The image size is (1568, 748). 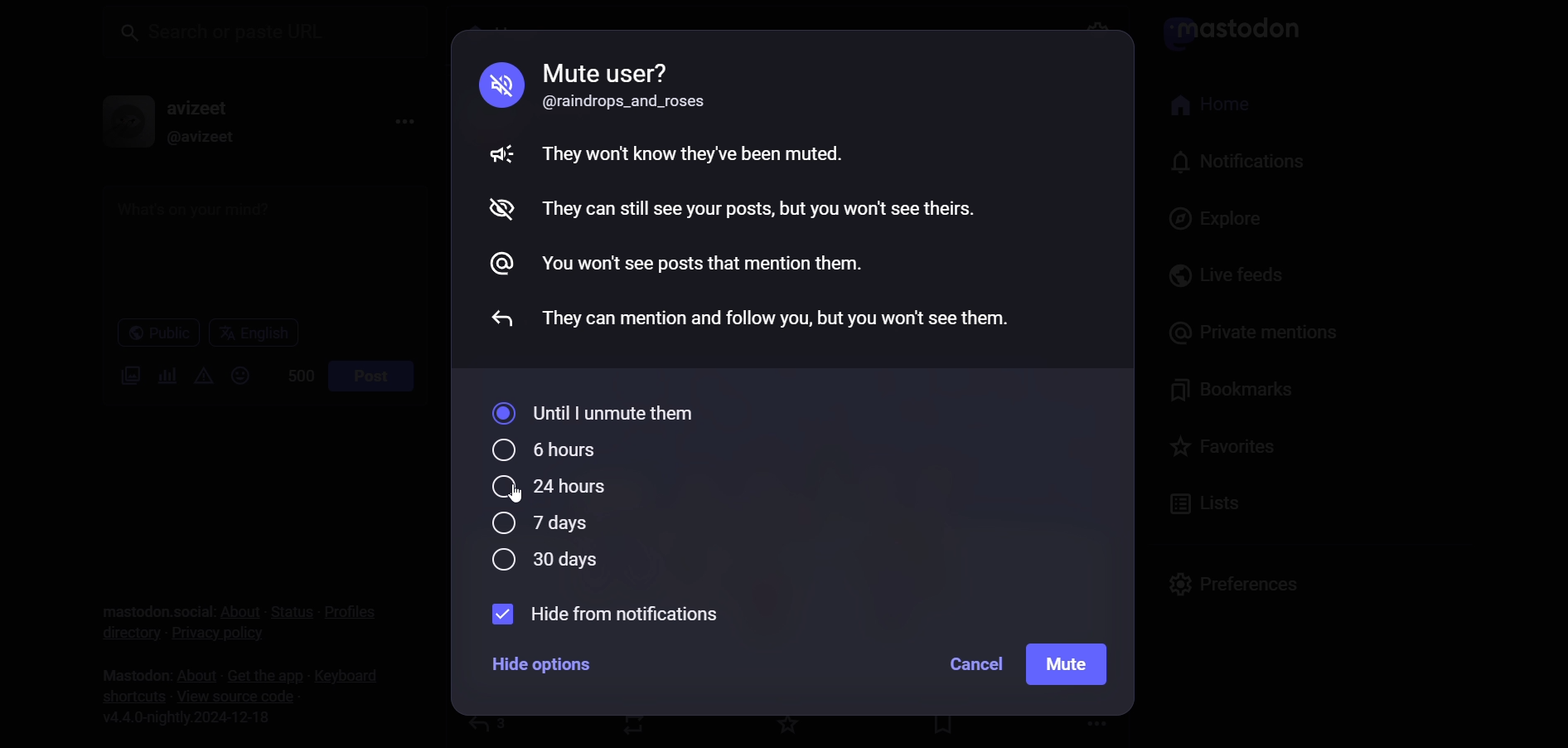 I want to click on Mute guidelines, so click(x=753, y=193).